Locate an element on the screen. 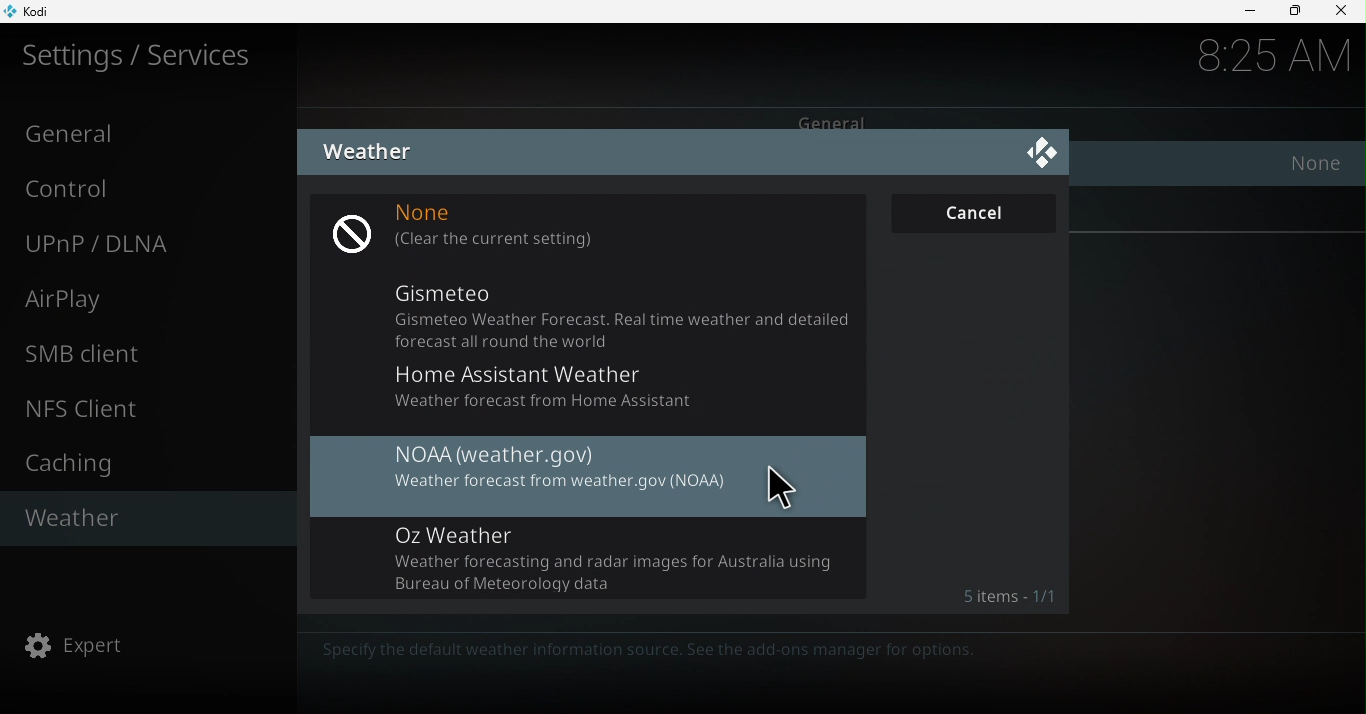 The width and height of the screenshot is (1366, 714). Caching is located at coordinates (141, 463).